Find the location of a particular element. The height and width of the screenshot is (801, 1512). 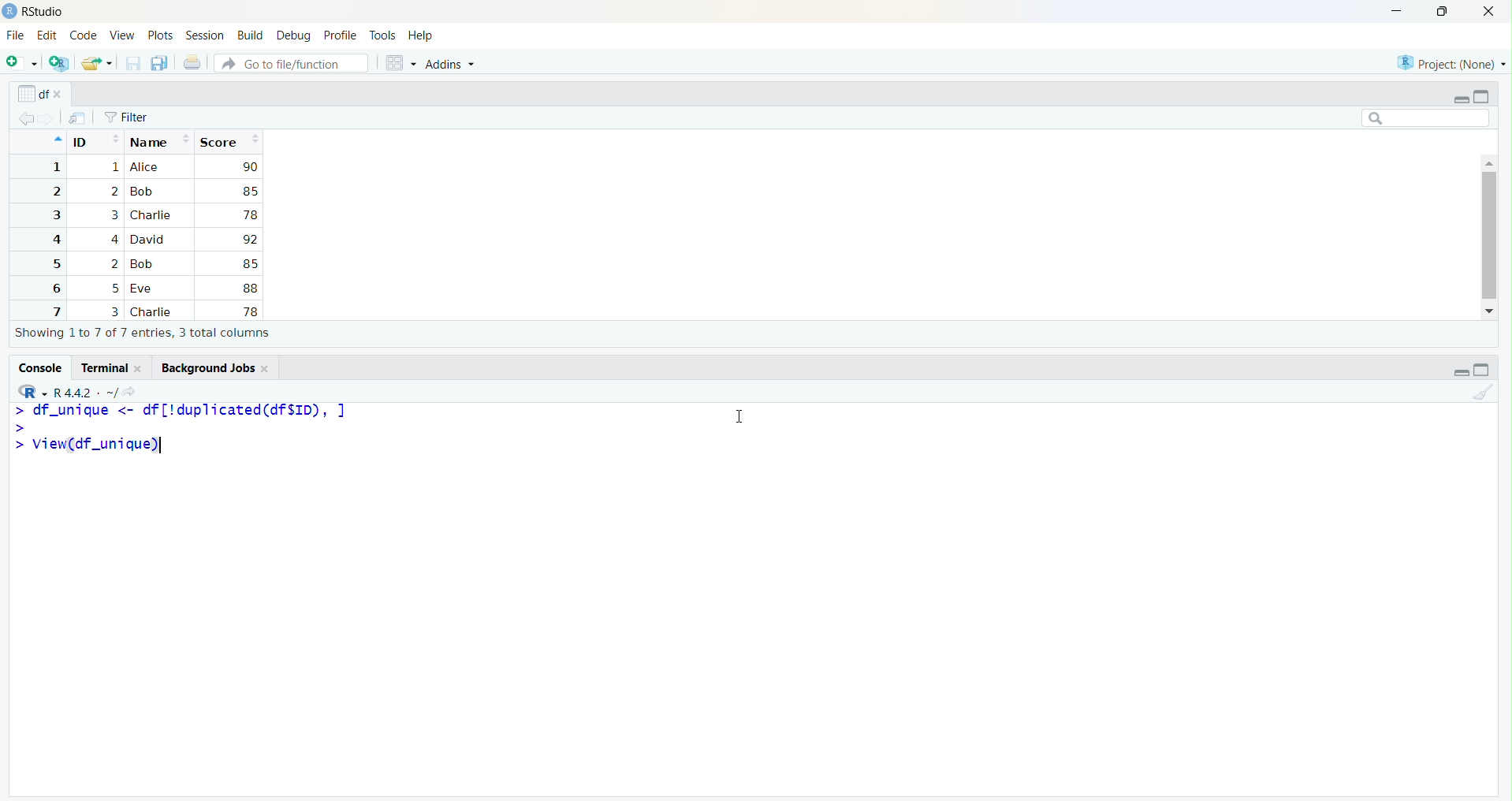

R 4.4.2 is located at coordinates (73, 393).